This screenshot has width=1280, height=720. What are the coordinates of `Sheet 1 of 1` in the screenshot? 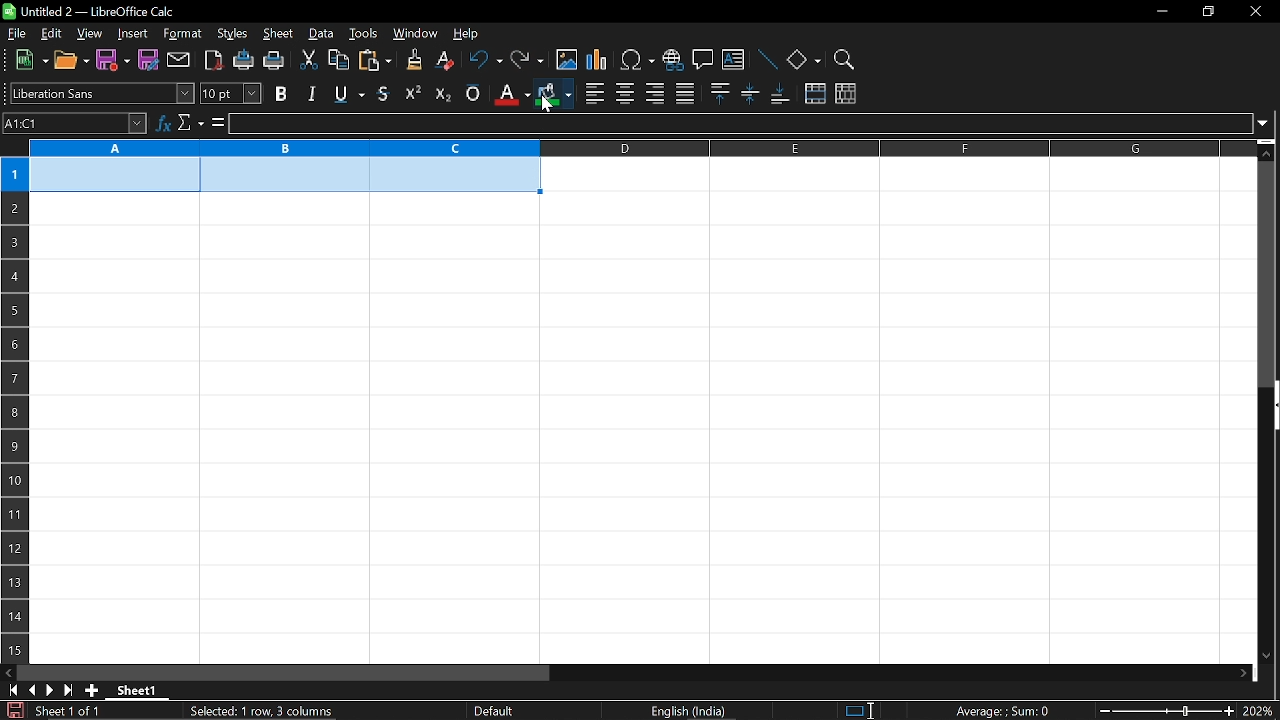 It's located at (68, 711).